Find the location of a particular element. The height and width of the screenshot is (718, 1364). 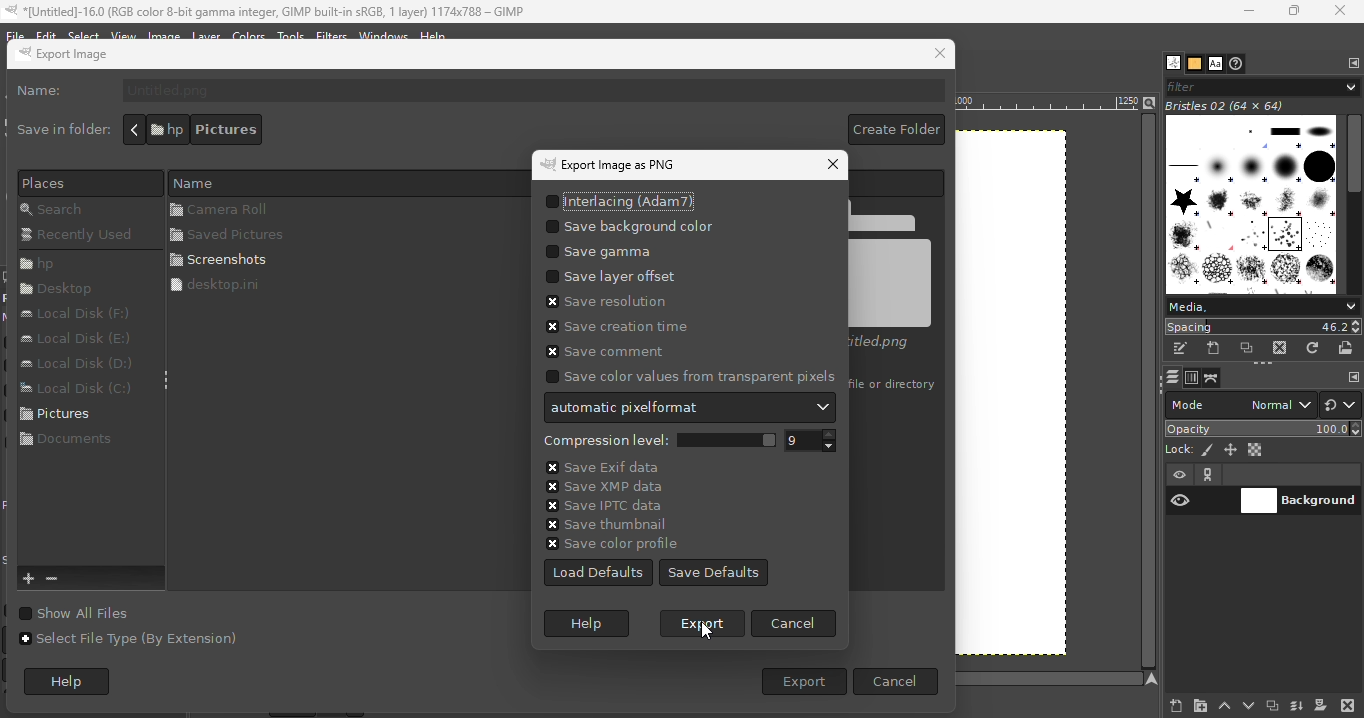

Channels is located at coordinates (1192, 378).